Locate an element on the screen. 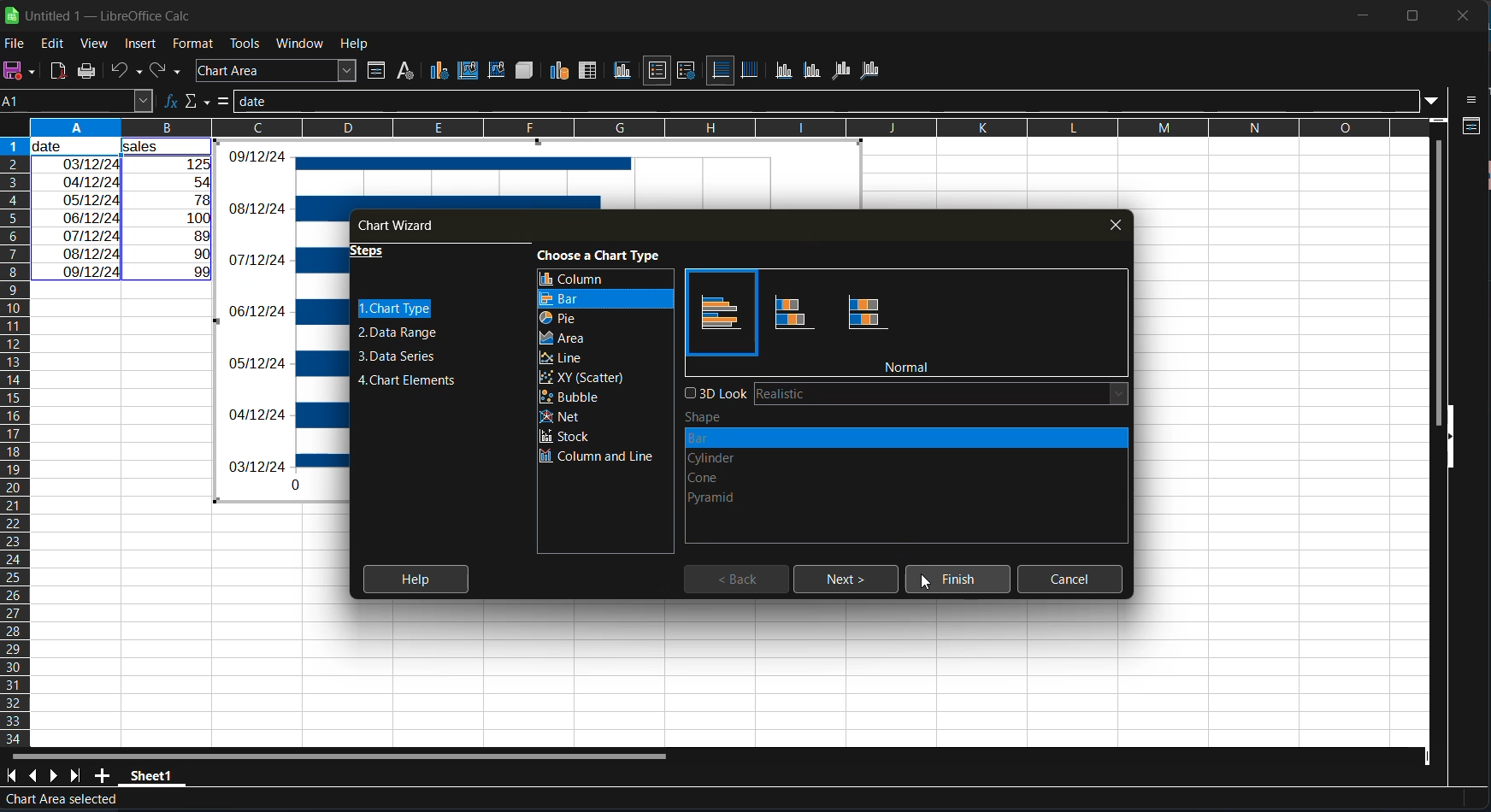 The height and width of the screenshot is (812, 1491). format selection is located at coordinates (374, 72).